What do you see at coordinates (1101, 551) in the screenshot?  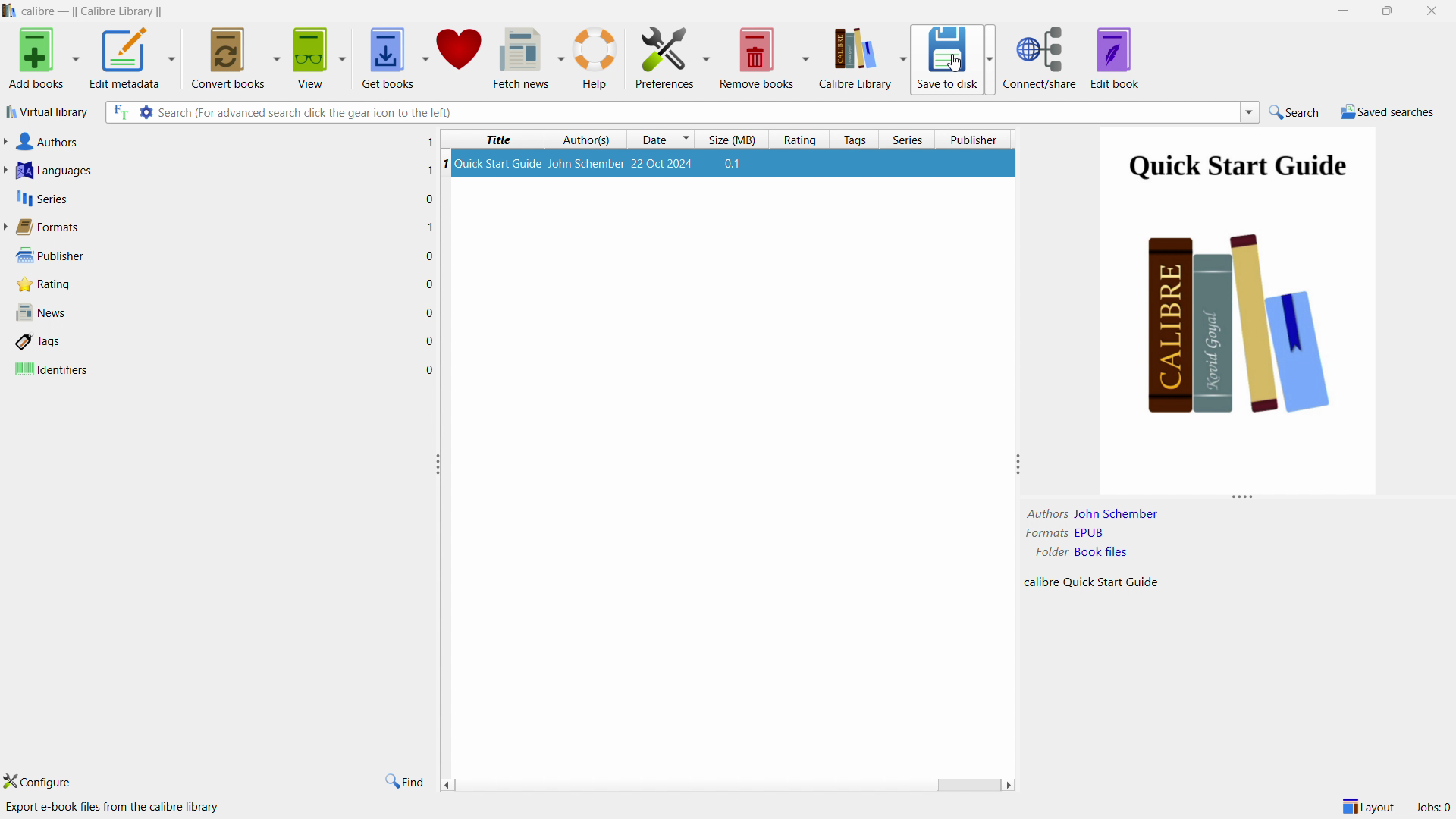 I see `Book files` at bounding box center [1101, 551].